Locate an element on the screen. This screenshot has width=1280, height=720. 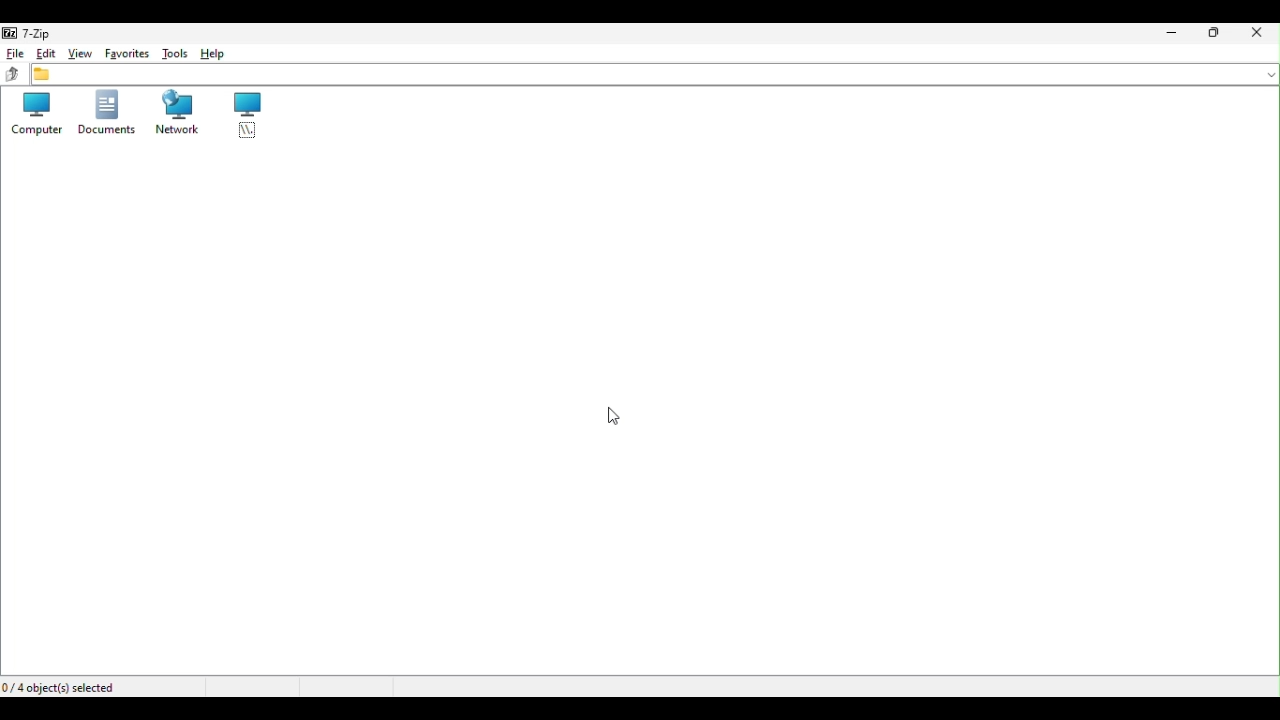
root is located at coordinates (249, 118).